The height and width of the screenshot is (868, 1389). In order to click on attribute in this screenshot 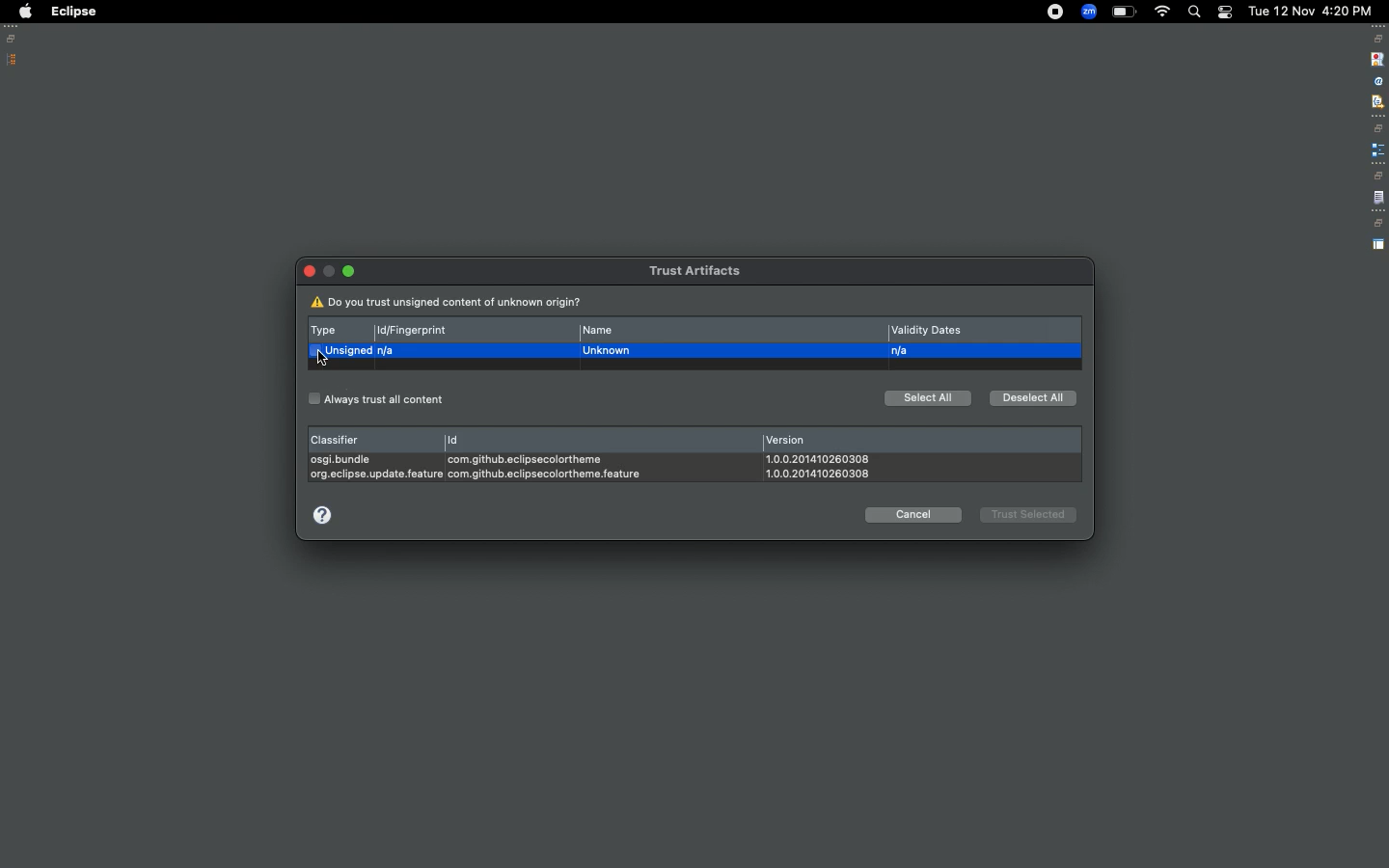, I will do `click(1376, 82)`.